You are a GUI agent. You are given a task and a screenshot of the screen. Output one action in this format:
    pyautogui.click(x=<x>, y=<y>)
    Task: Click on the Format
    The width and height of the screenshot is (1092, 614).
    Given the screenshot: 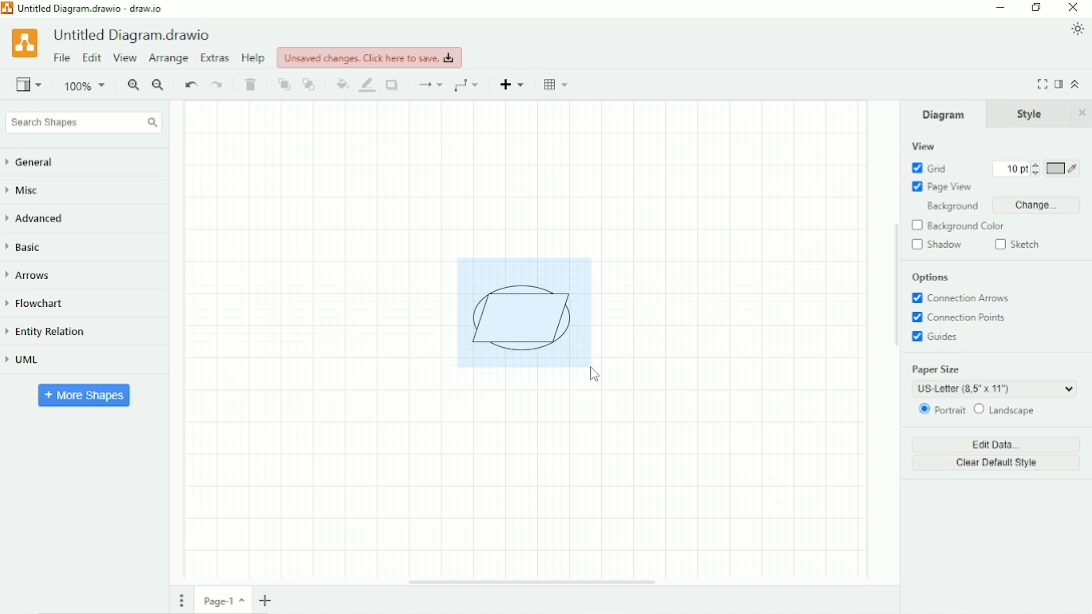 What is the action you would take?
    pyautogui.click(x=1059, y=84)
    